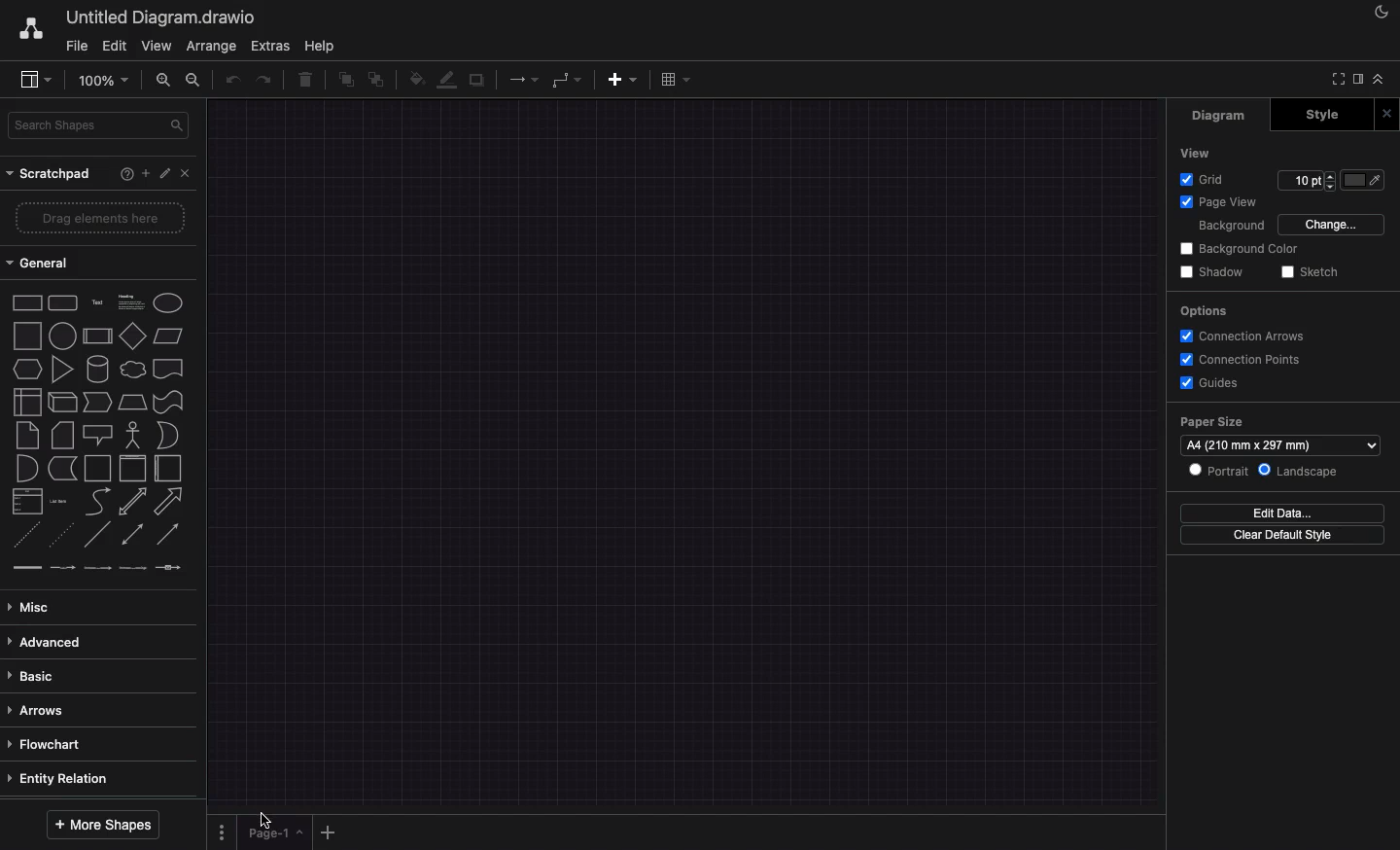  I want to click on callout, so click(99, 435).